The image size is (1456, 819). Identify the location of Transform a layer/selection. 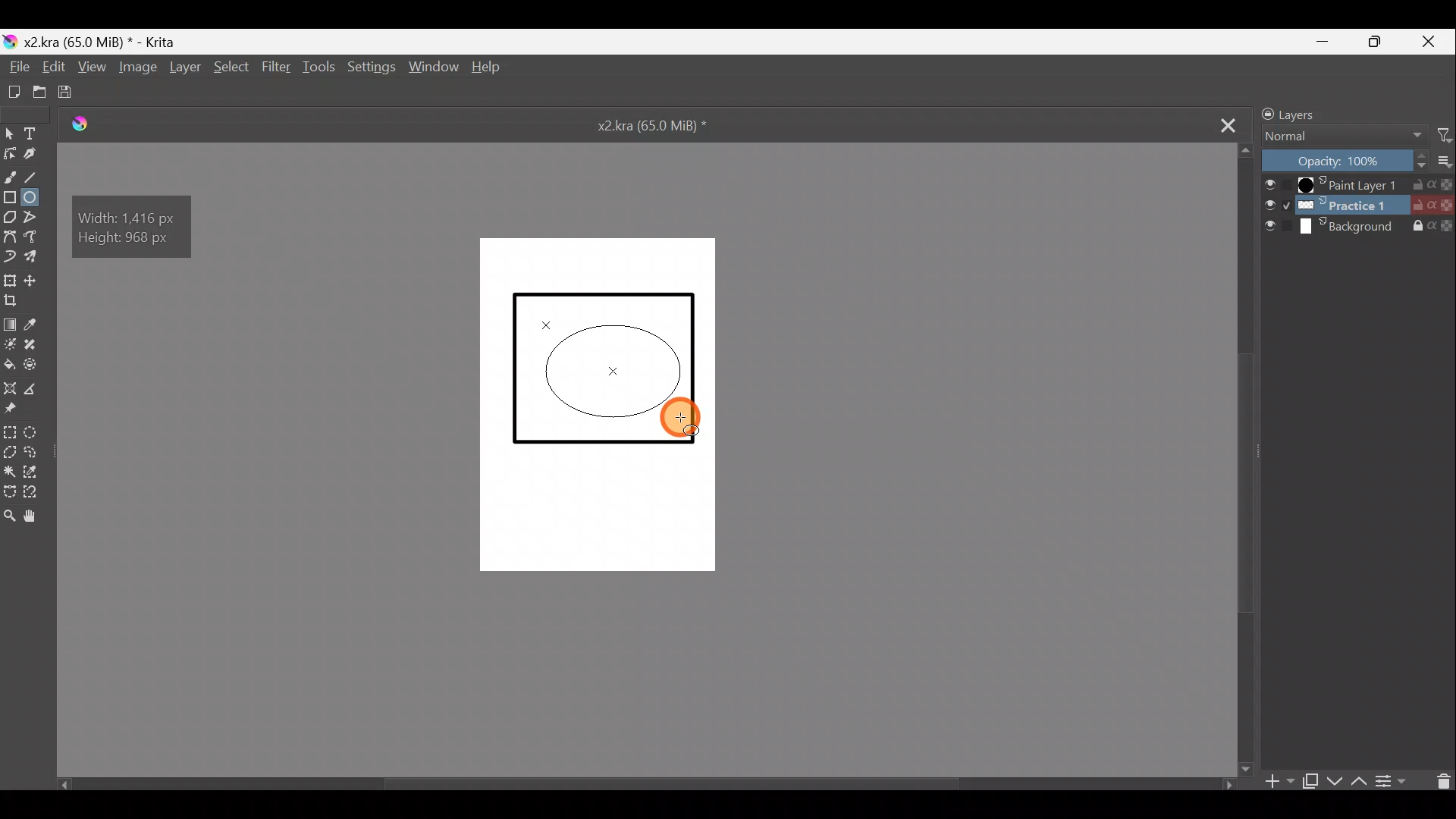
(12, 280).